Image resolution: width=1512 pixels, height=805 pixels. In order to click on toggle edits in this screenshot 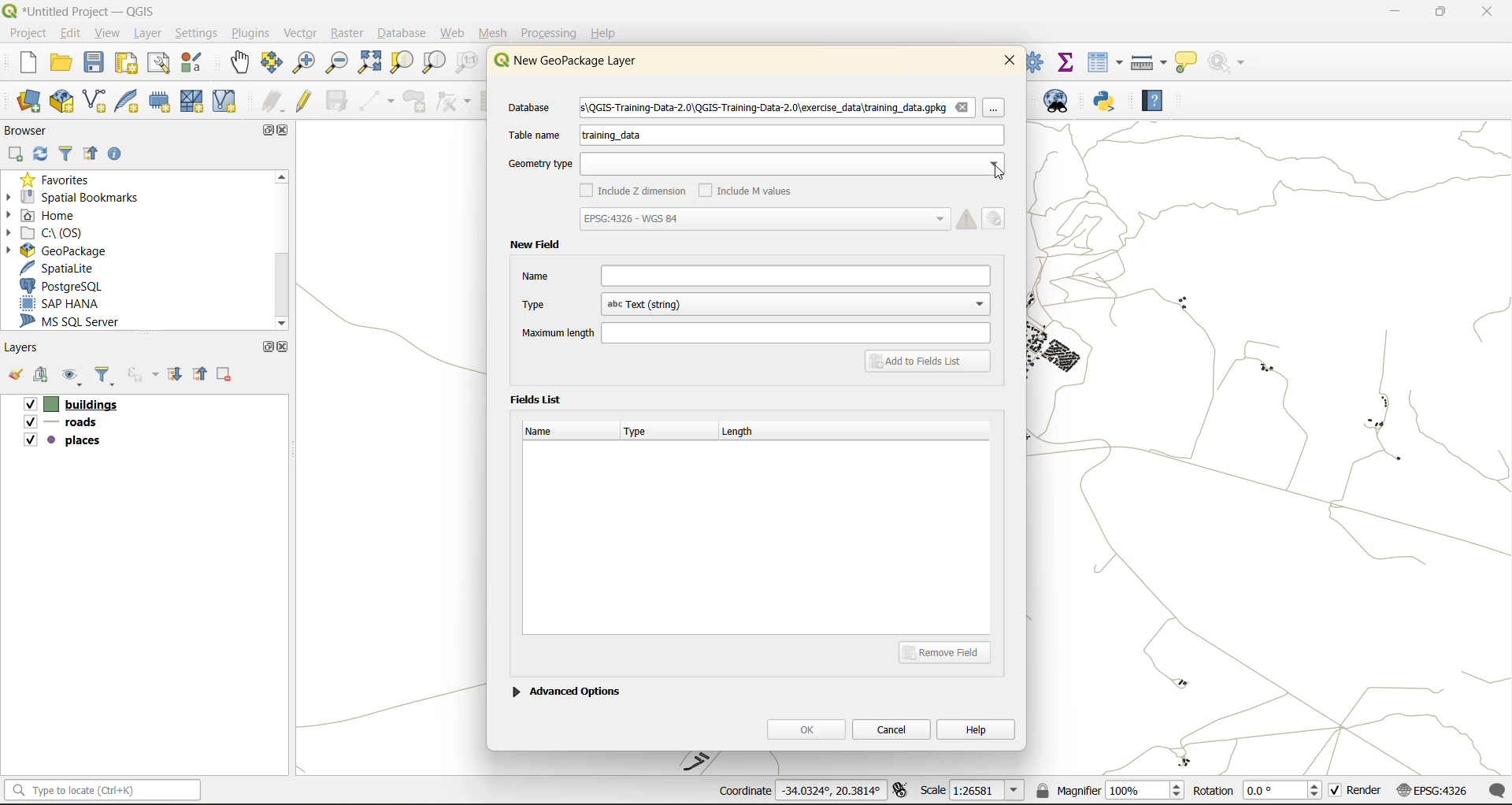, I will do `click(305, 101)`.